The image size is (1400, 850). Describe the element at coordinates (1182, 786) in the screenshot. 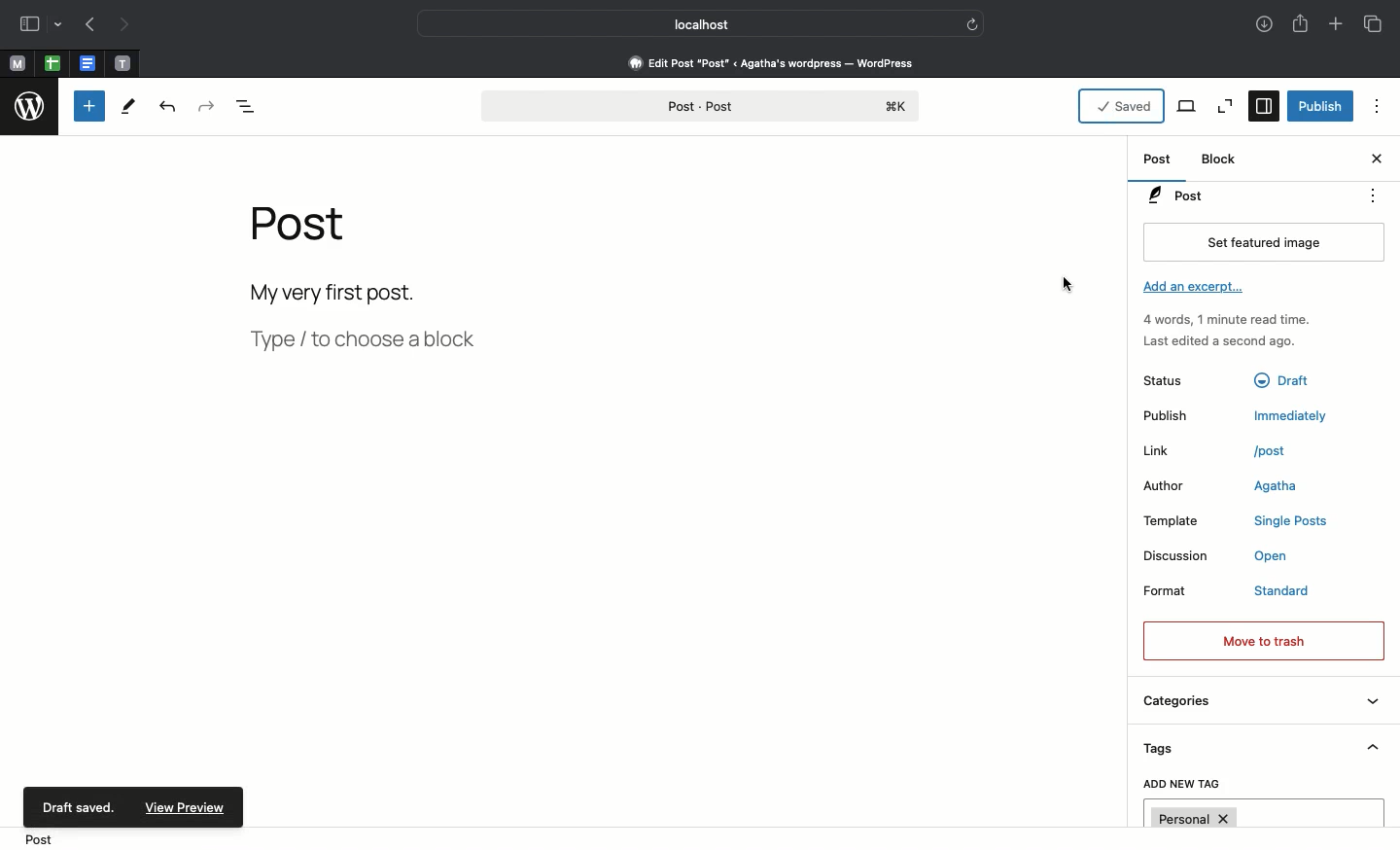

I see `Add new tag` at that location.